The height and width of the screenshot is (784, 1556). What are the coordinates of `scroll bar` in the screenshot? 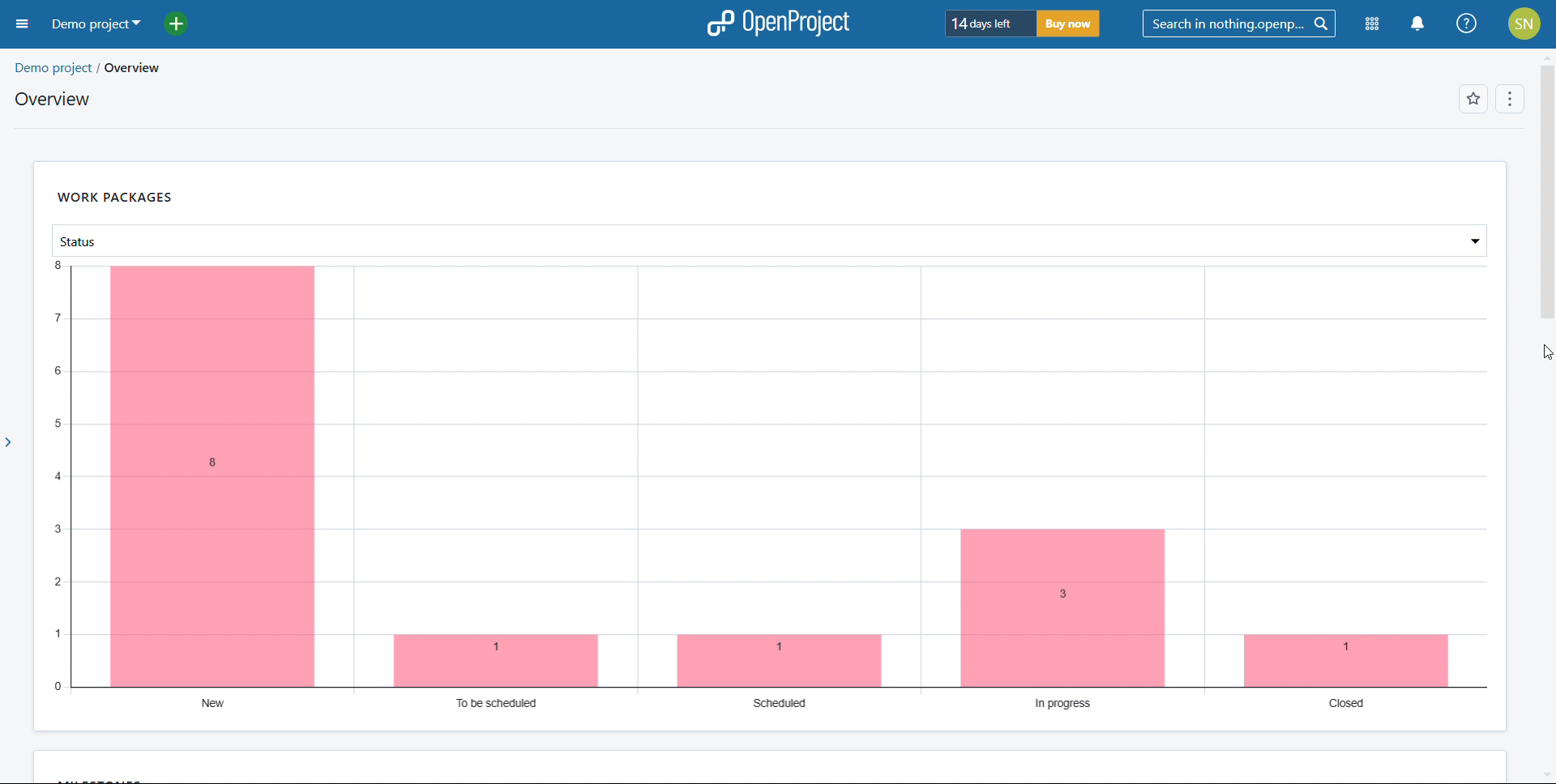 It's located at (1546, 202).